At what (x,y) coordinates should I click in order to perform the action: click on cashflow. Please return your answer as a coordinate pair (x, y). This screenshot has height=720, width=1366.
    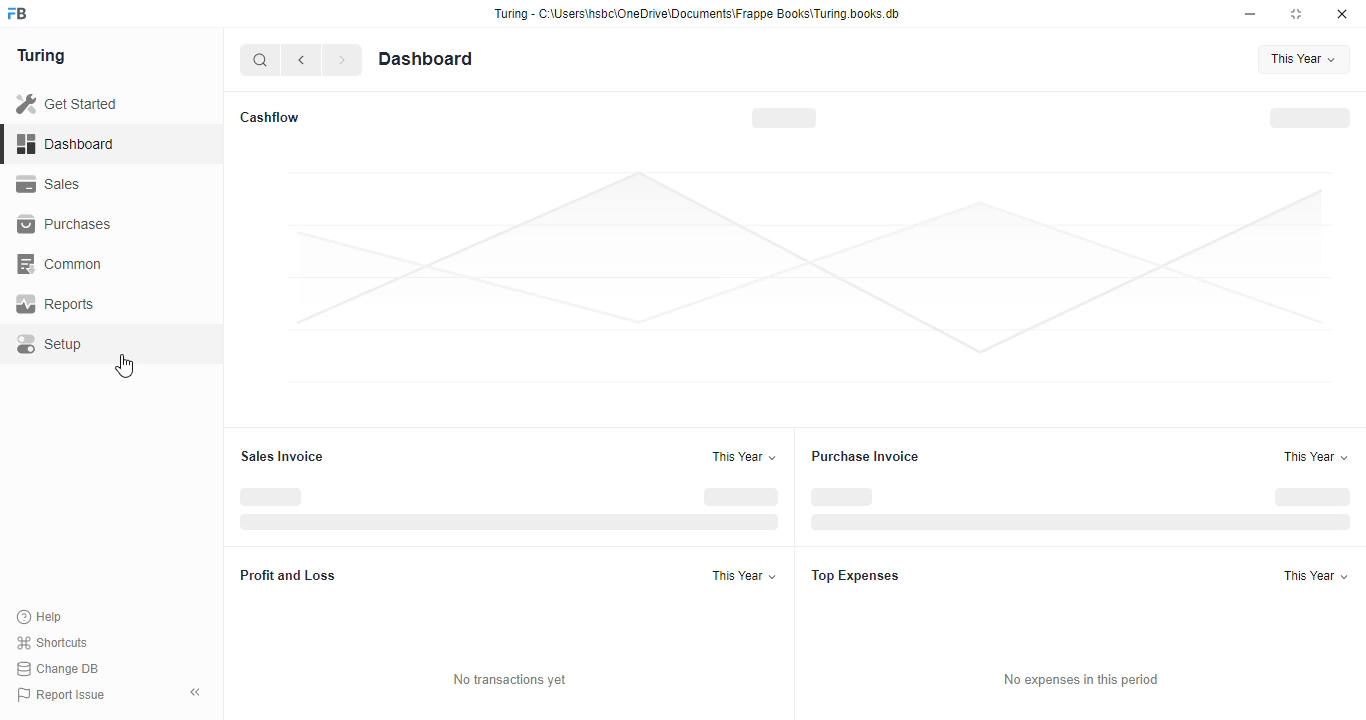
    Looking at the image, I should click on (271, 118).